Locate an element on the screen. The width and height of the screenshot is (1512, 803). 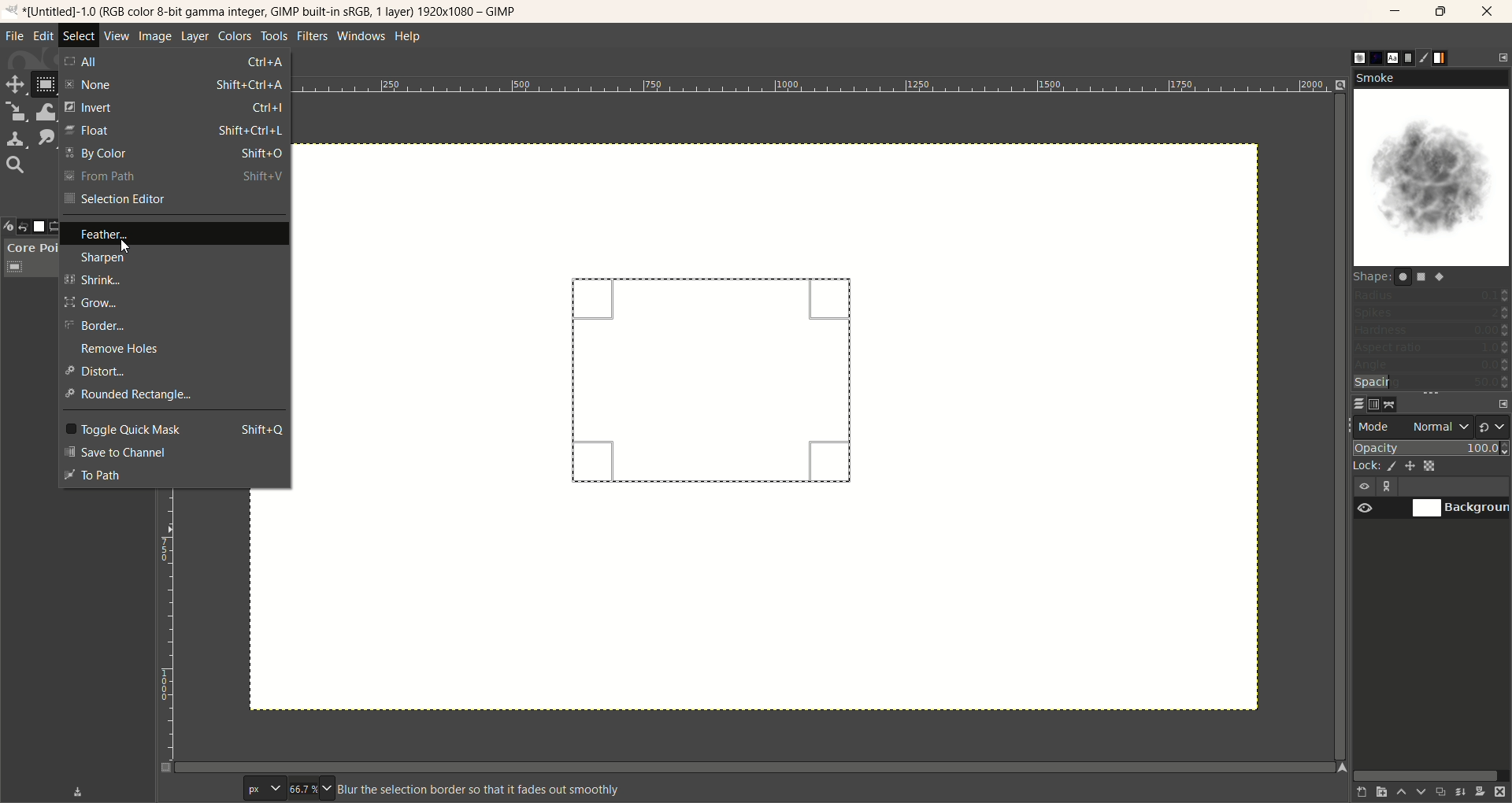
filters is located at coordinates (311, 36).